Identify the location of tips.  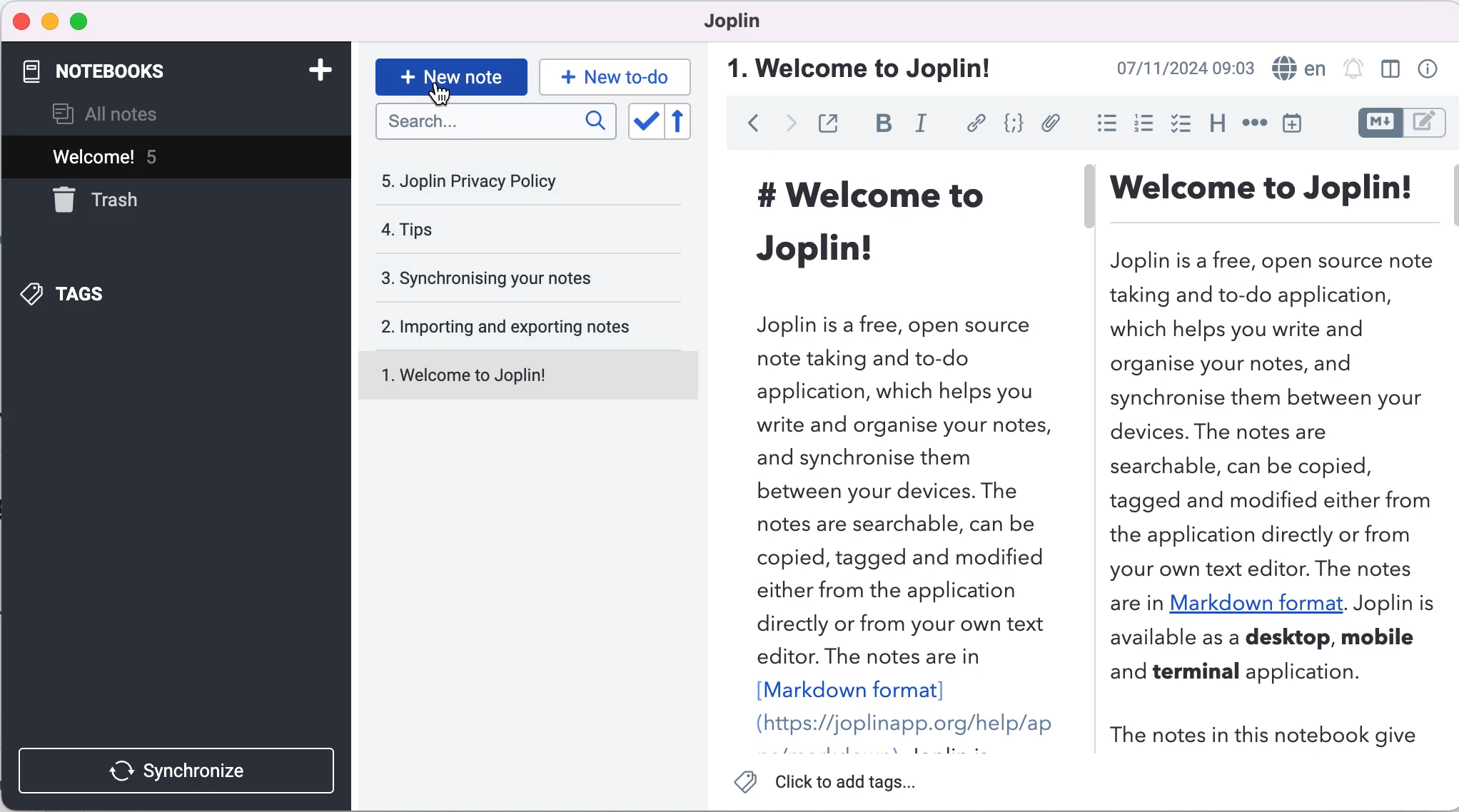
(499, 230).